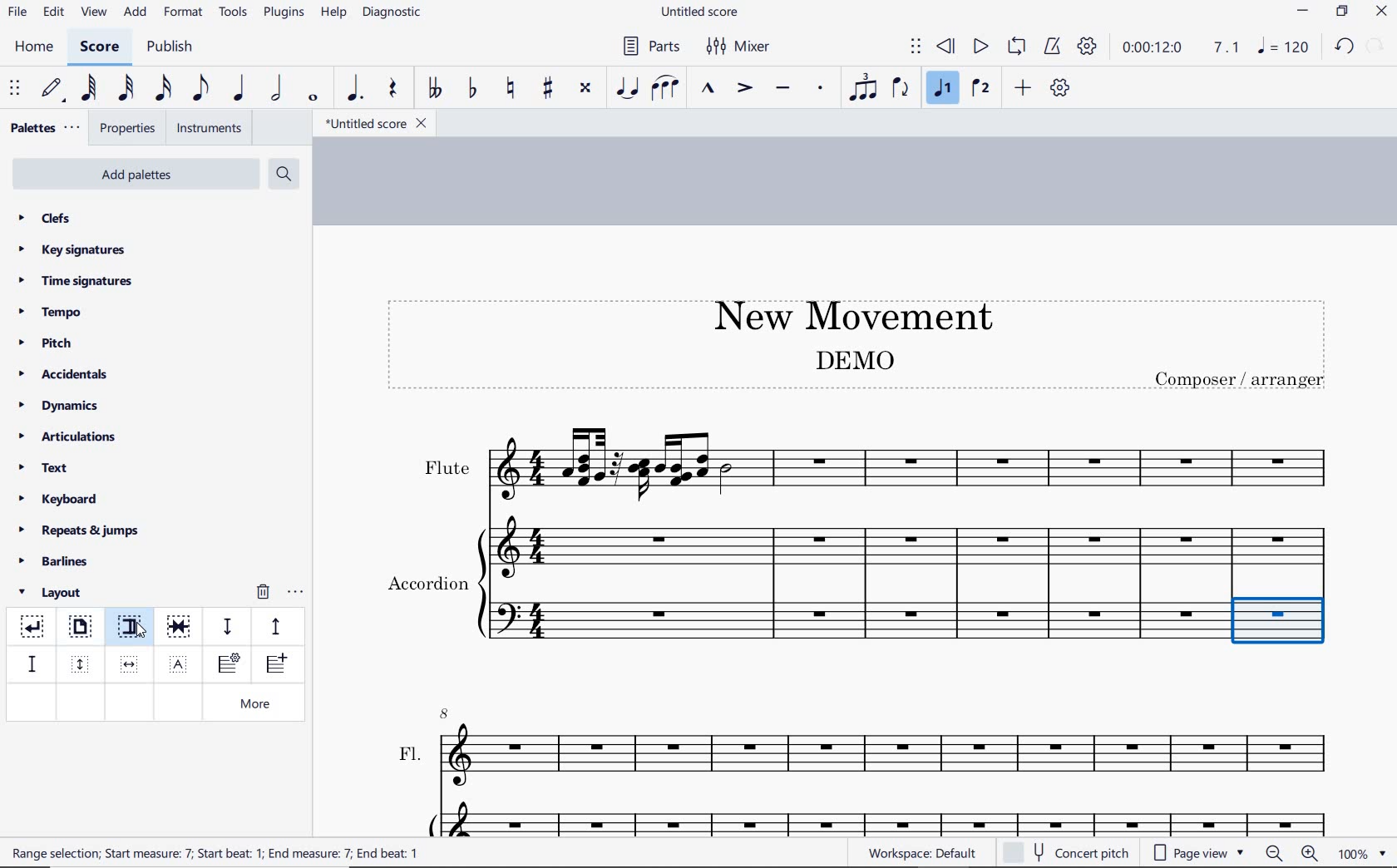 This screenshot has height=868, width=1397. What do you see at coordinates (427, 580) in the screenshot?
I see `text` at bounding box center [427, 580].